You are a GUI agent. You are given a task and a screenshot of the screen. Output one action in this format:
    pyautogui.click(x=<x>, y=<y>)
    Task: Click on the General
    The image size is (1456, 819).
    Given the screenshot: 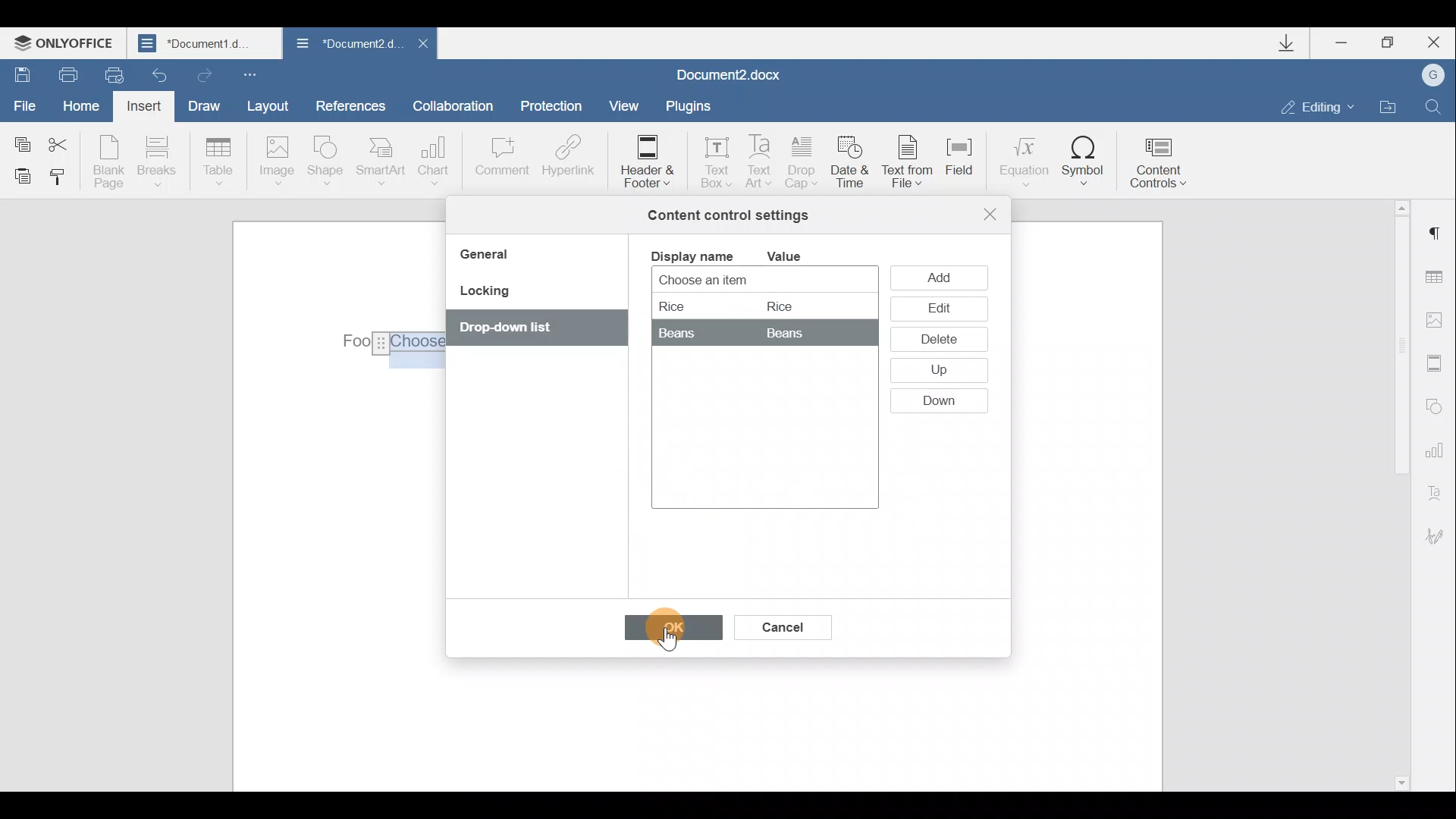 What is the action you would take?
    pyautogui.click(x=490, y=256)
    